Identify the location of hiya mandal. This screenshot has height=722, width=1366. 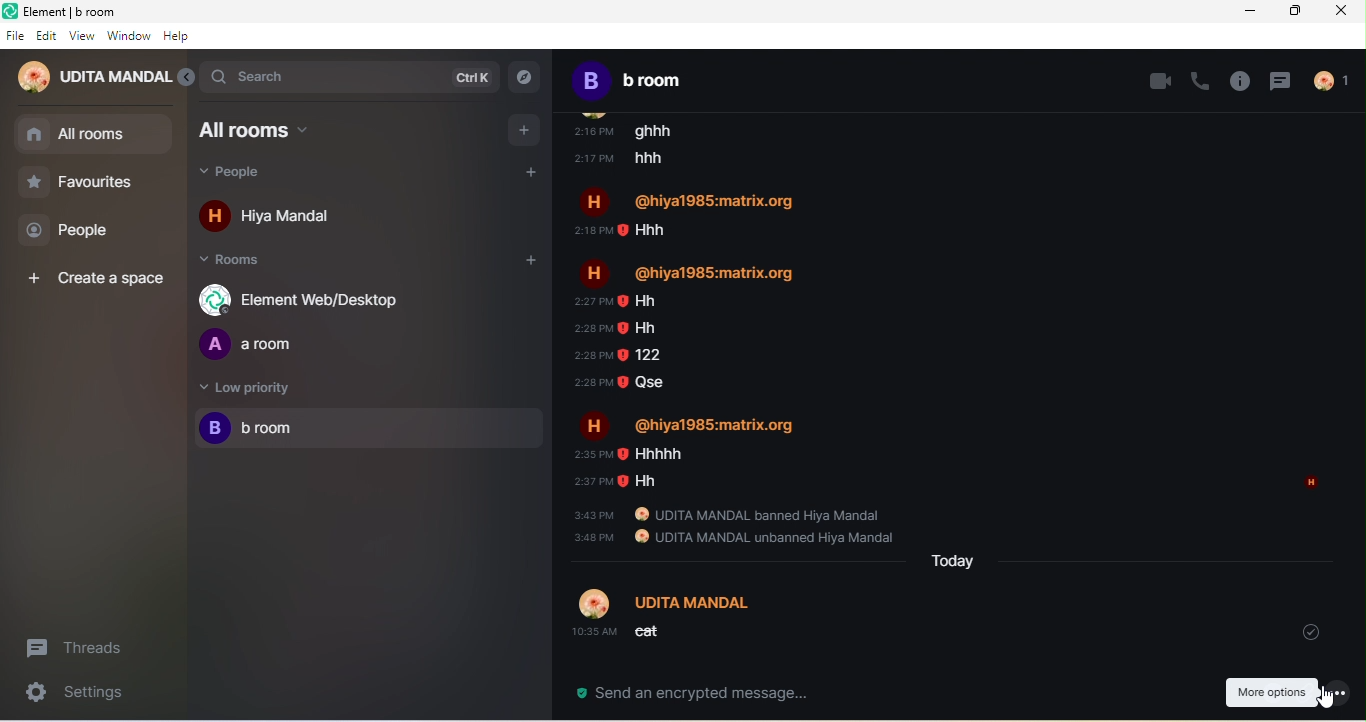
(276, 219).